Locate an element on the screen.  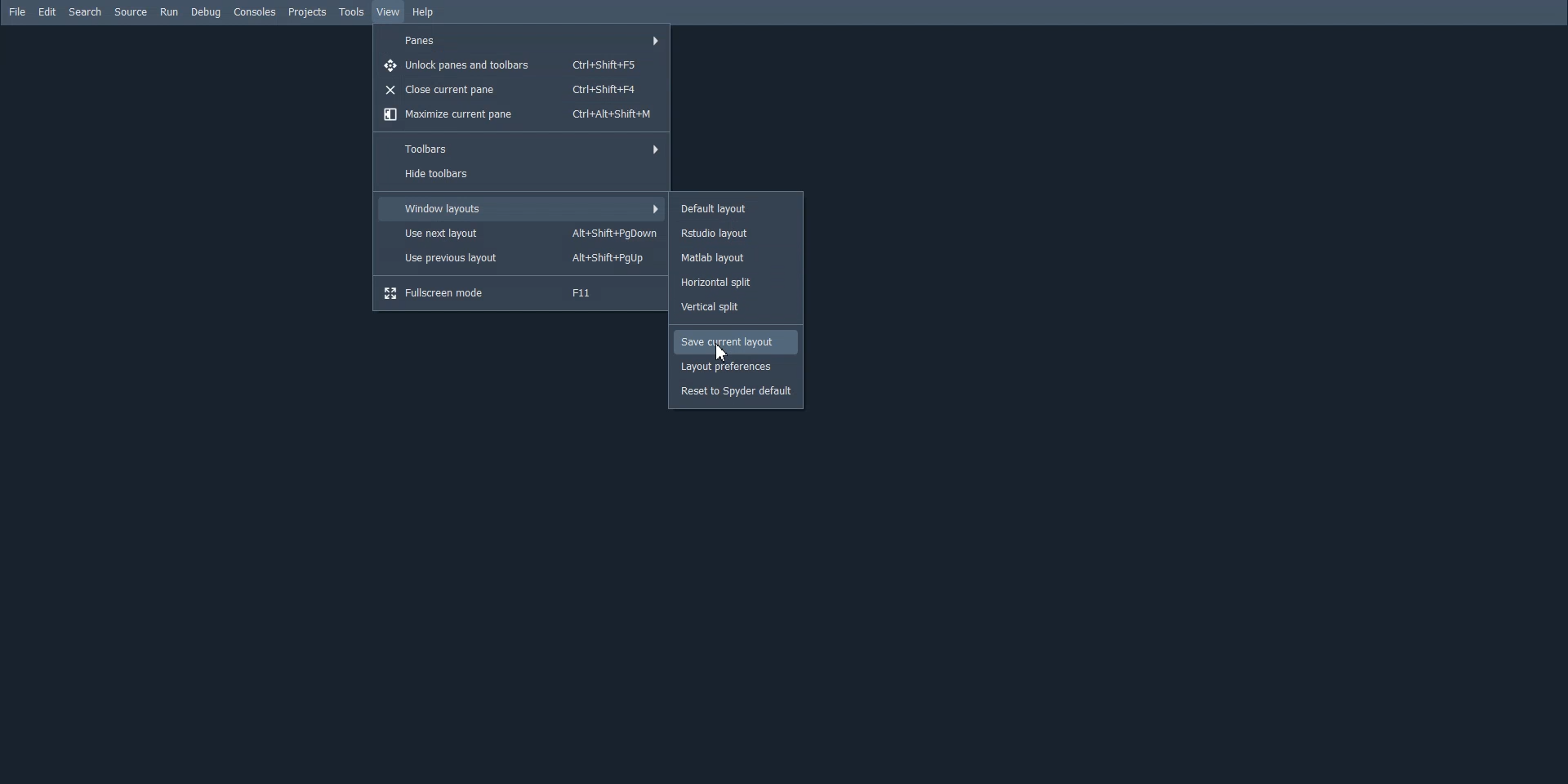
Matlab layout is located at coordinates (734, 259).